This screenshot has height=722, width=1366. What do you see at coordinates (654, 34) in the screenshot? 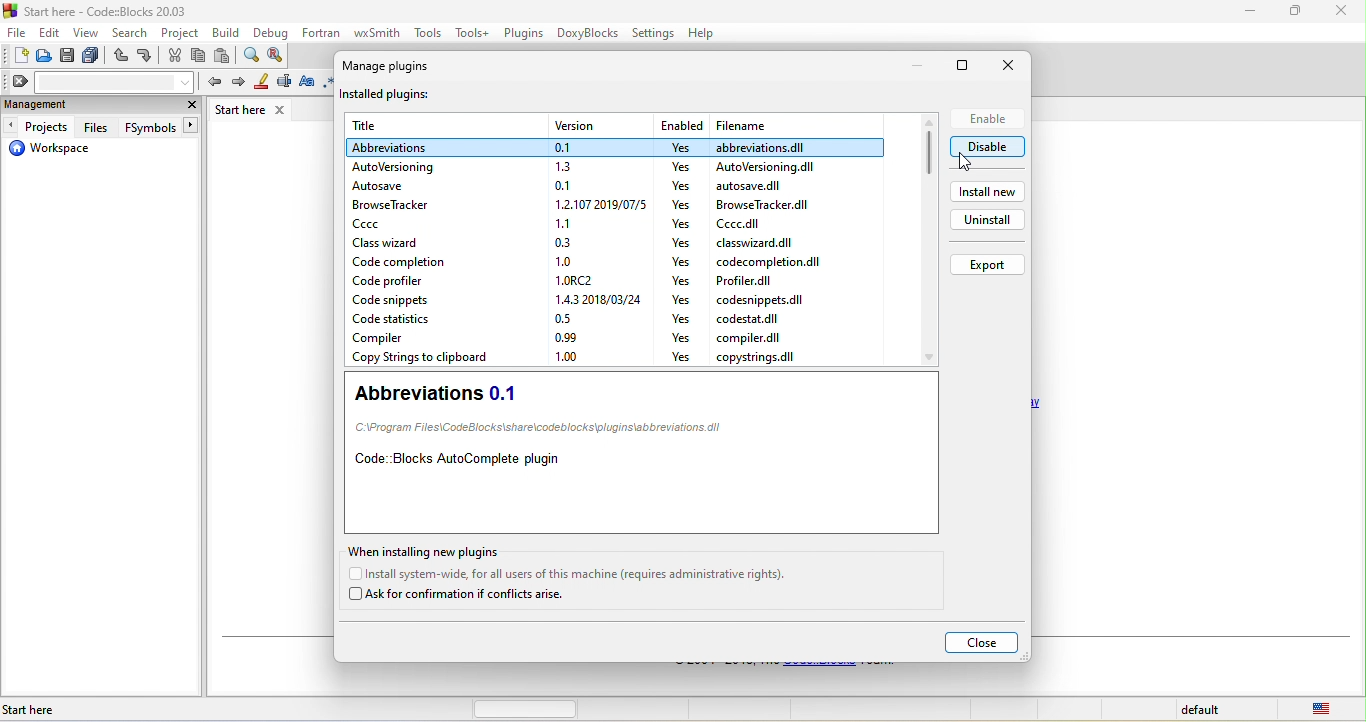
I see `settings` at bounding box center [654, 34].